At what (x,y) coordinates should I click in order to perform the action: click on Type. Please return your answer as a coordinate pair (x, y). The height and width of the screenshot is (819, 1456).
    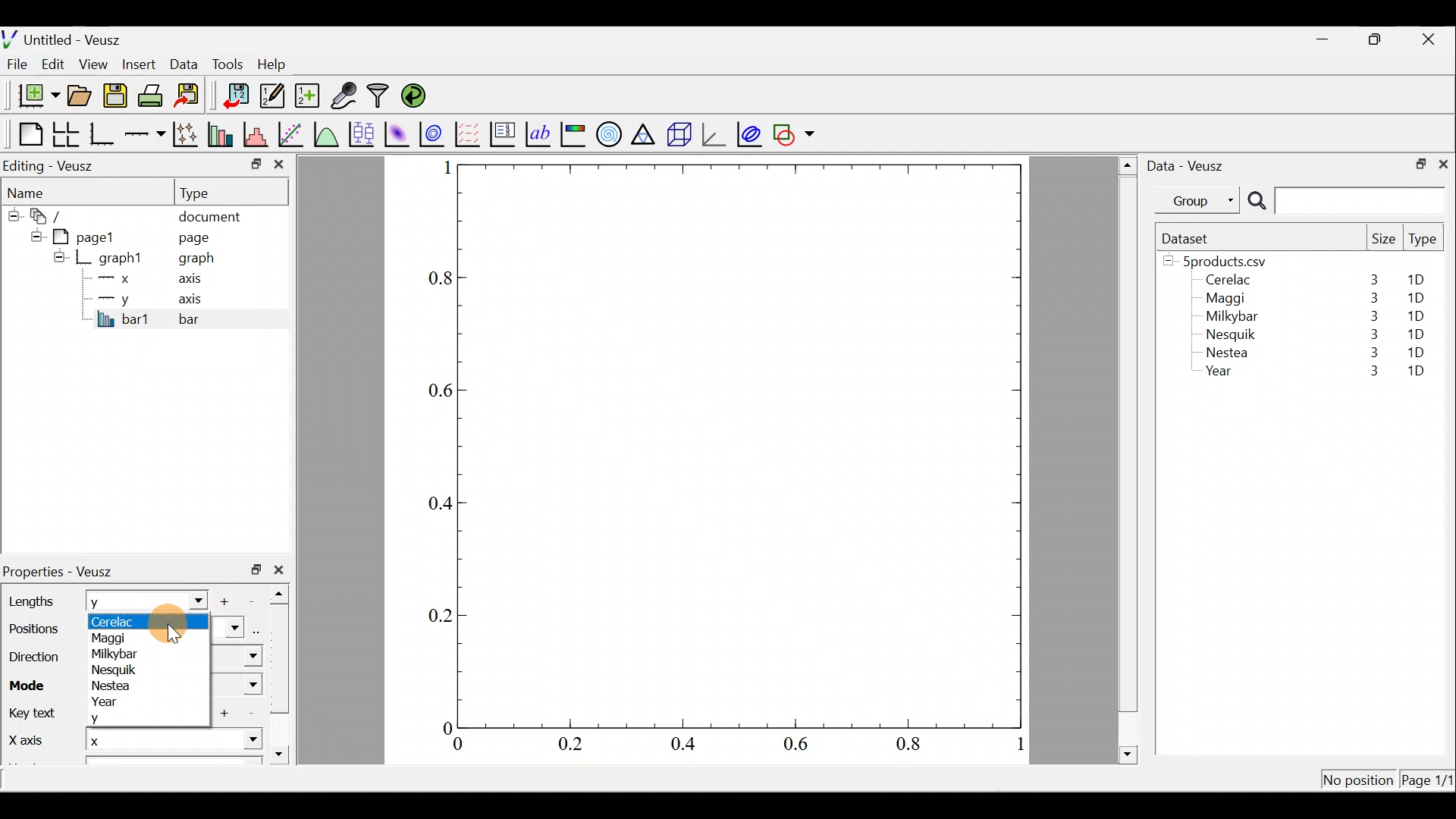
    Looking at the image, I should click on (1424, 243).